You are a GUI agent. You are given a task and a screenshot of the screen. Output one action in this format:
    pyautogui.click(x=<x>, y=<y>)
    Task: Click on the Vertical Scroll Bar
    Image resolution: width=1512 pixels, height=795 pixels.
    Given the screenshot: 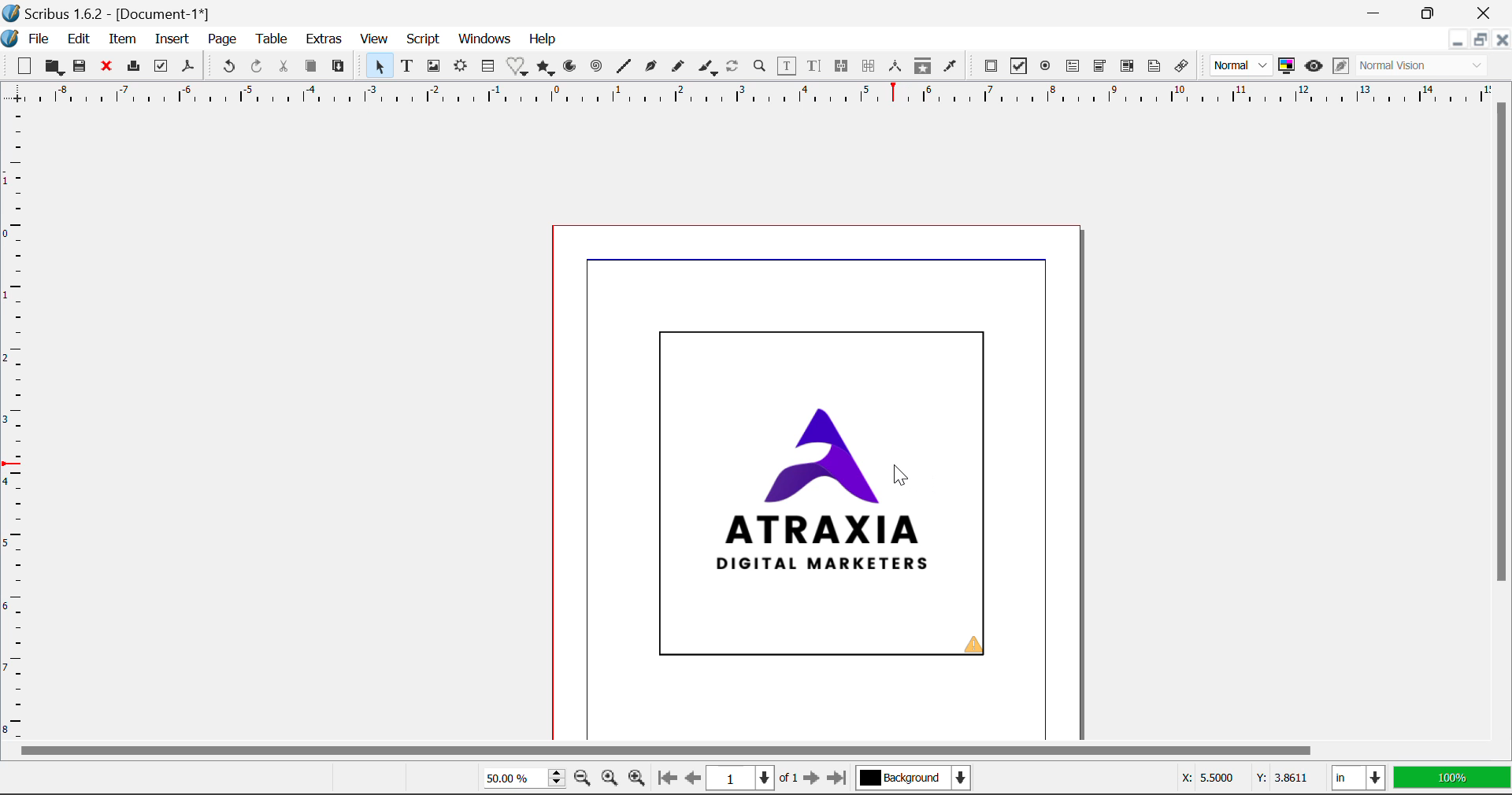 What is the action you would take?
    pyautogui.click(x=1503, y=407)
    